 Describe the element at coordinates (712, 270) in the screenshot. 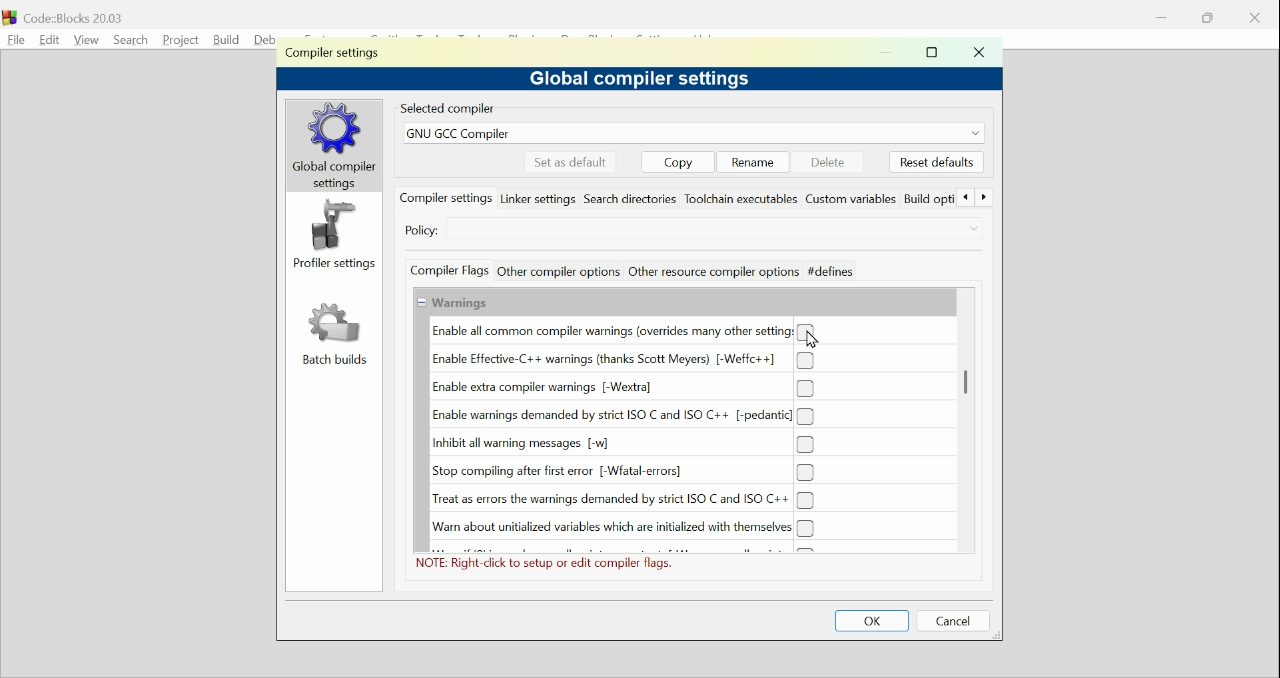

I see `Other resource compiler options` at that location.